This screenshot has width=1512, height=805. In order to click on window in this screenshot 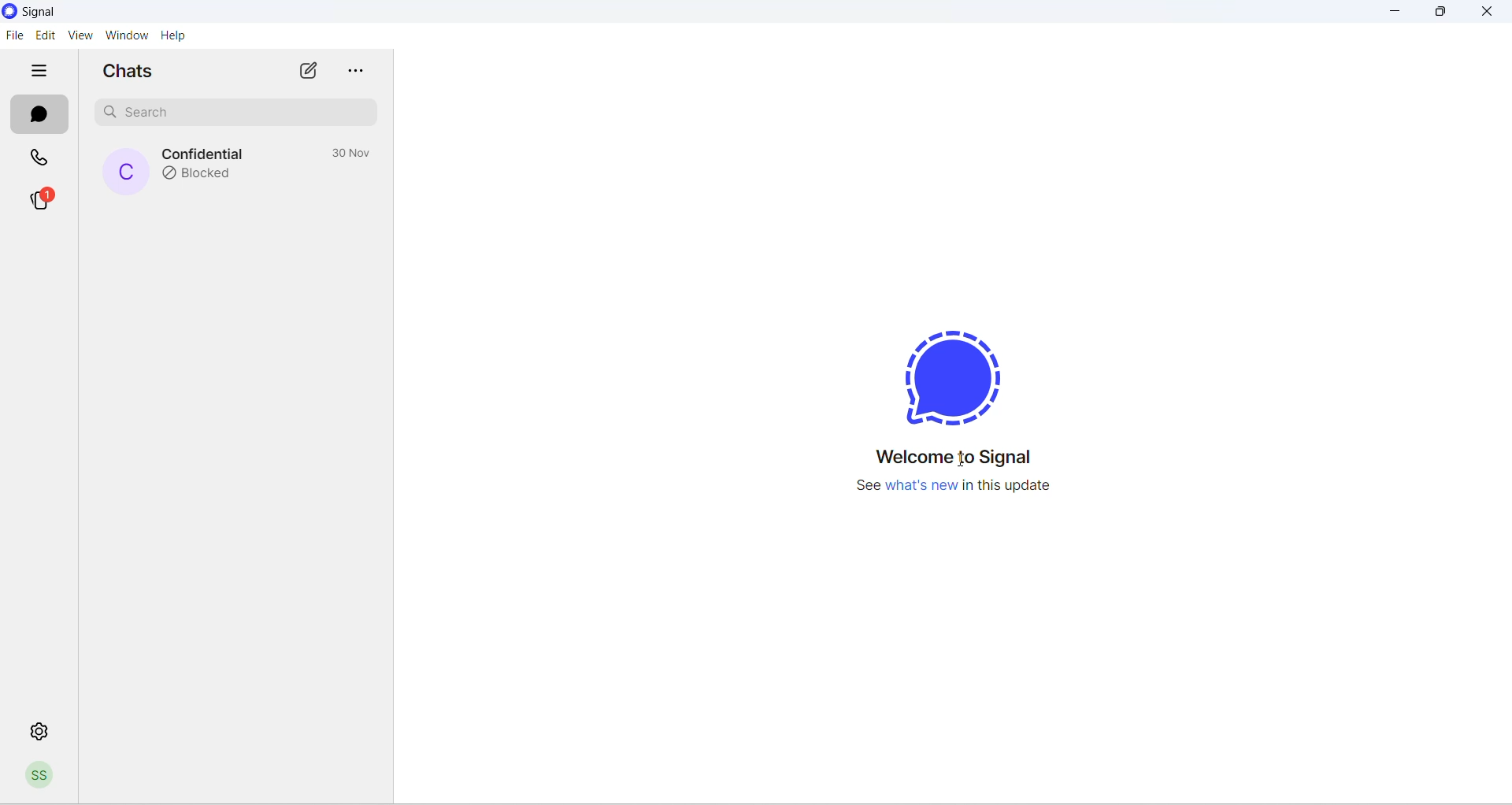, I will do `click(124, 35)`.